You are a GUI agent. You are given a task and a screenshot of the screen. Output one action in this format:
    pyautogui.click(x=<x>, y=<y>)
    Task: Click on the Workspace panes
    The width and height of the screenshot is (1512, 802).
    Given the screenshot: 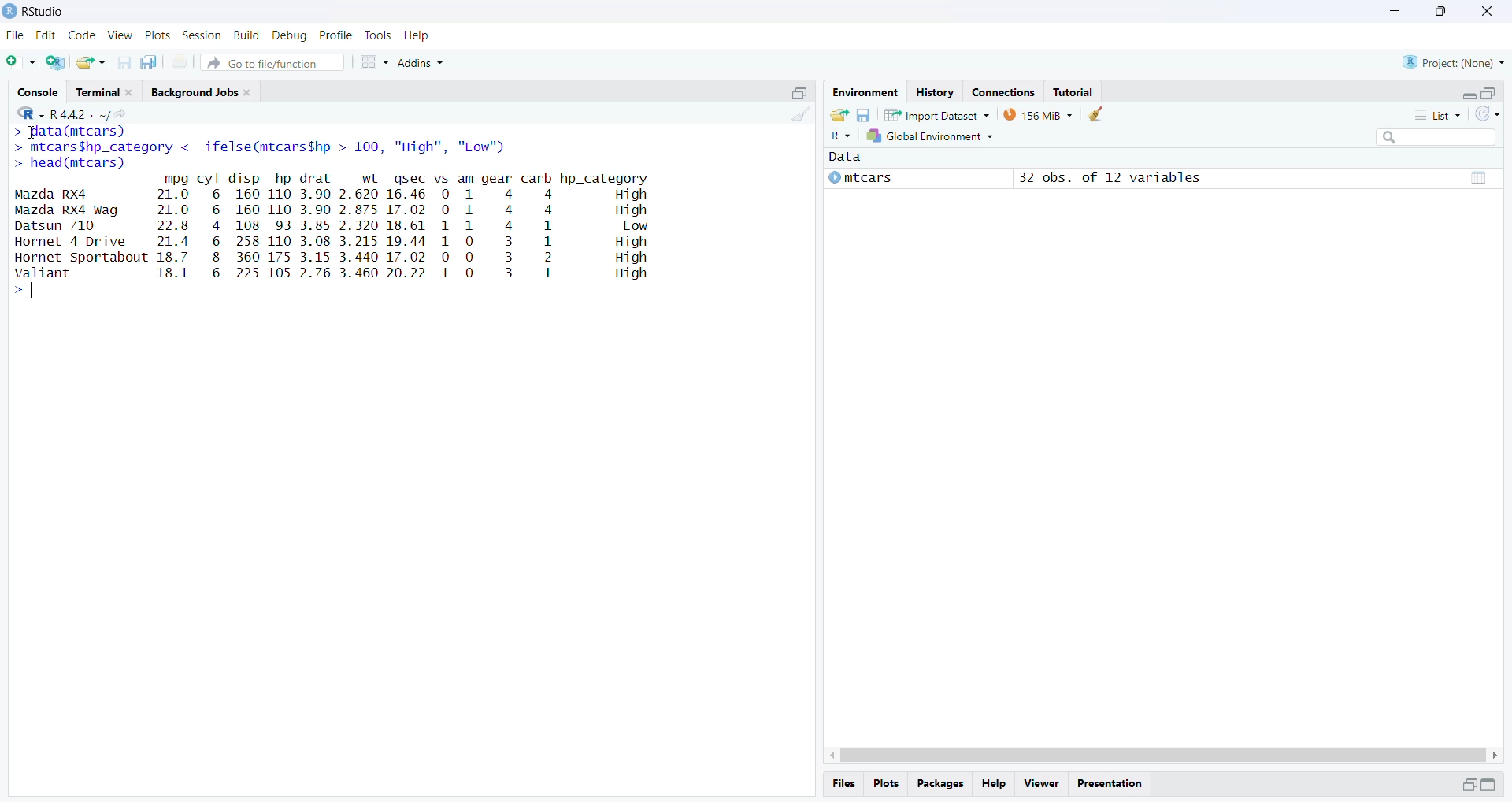 What is the action you would take?
    pyautogui.click(x=373, y=61)
    